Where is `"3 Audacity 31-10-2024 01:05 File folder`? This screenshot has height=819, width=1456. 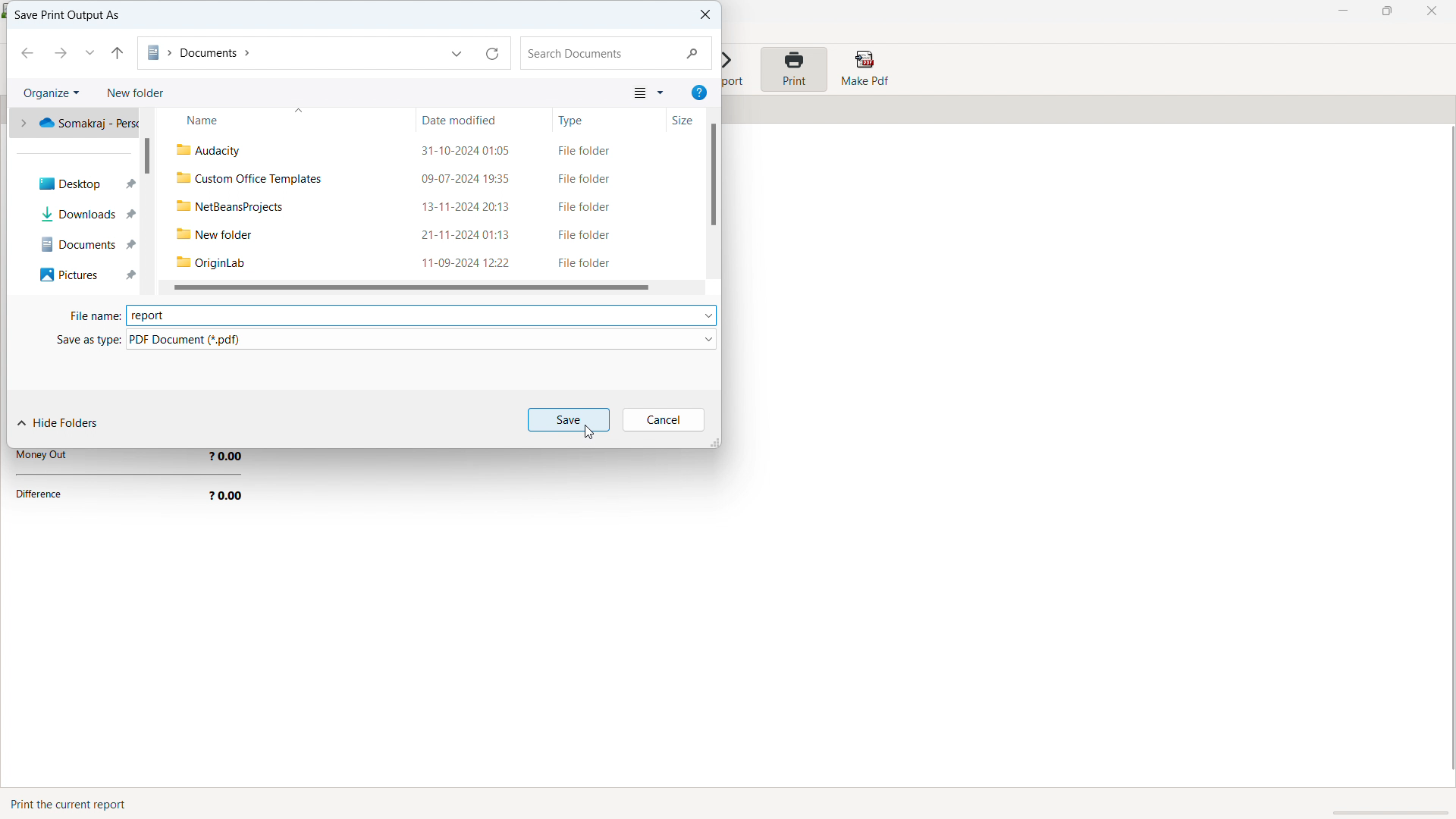
"3 Audacity 31-10-2024 01:05 File folder is located at coordinates (428, 150).